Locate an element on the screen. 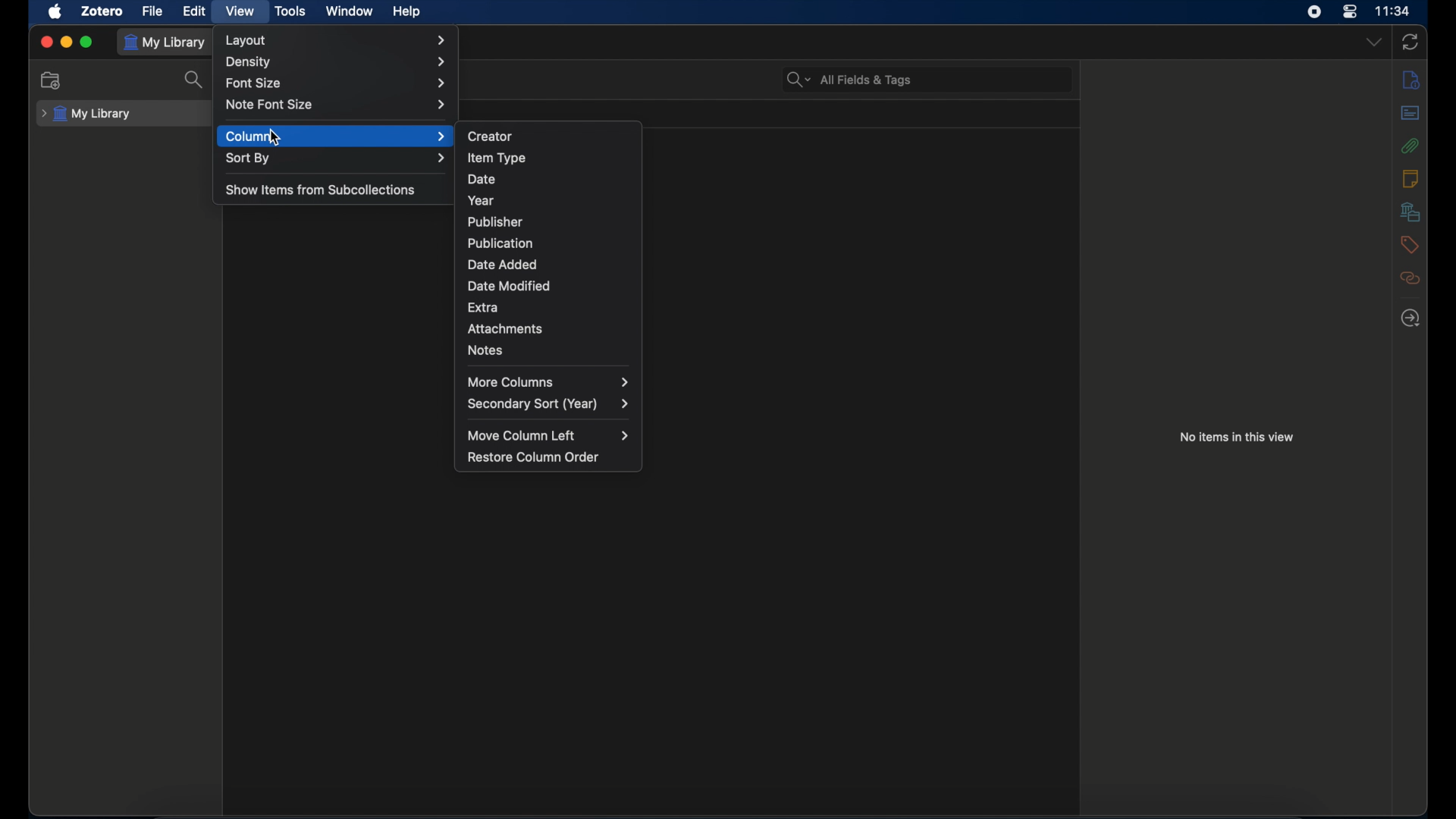 The height and width of the screenshot is (819, 1456). view is located at coordinates (240, 11).